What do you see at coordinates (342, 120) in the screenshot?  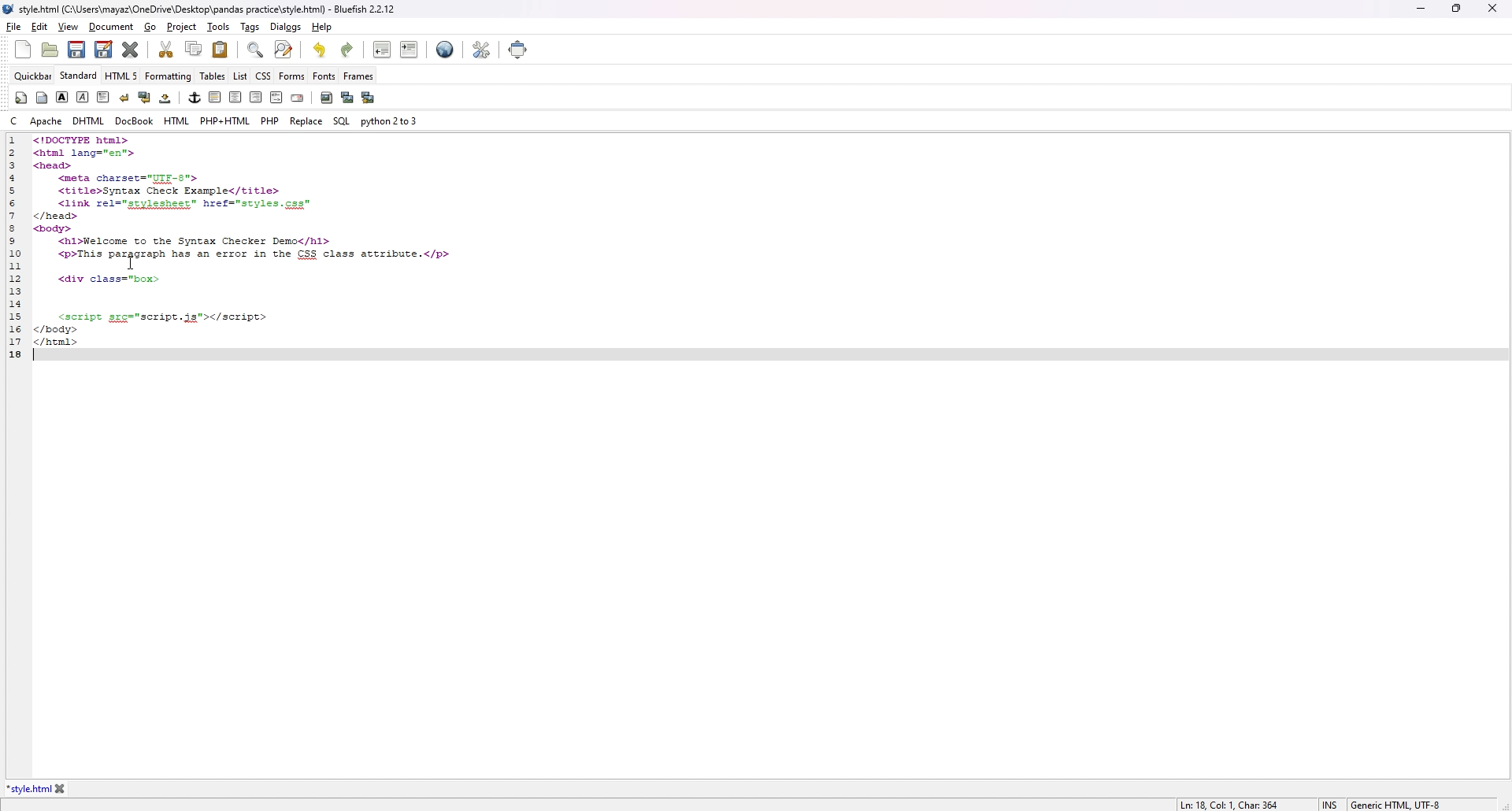 I see `sql` at bounding box center [342, 120].